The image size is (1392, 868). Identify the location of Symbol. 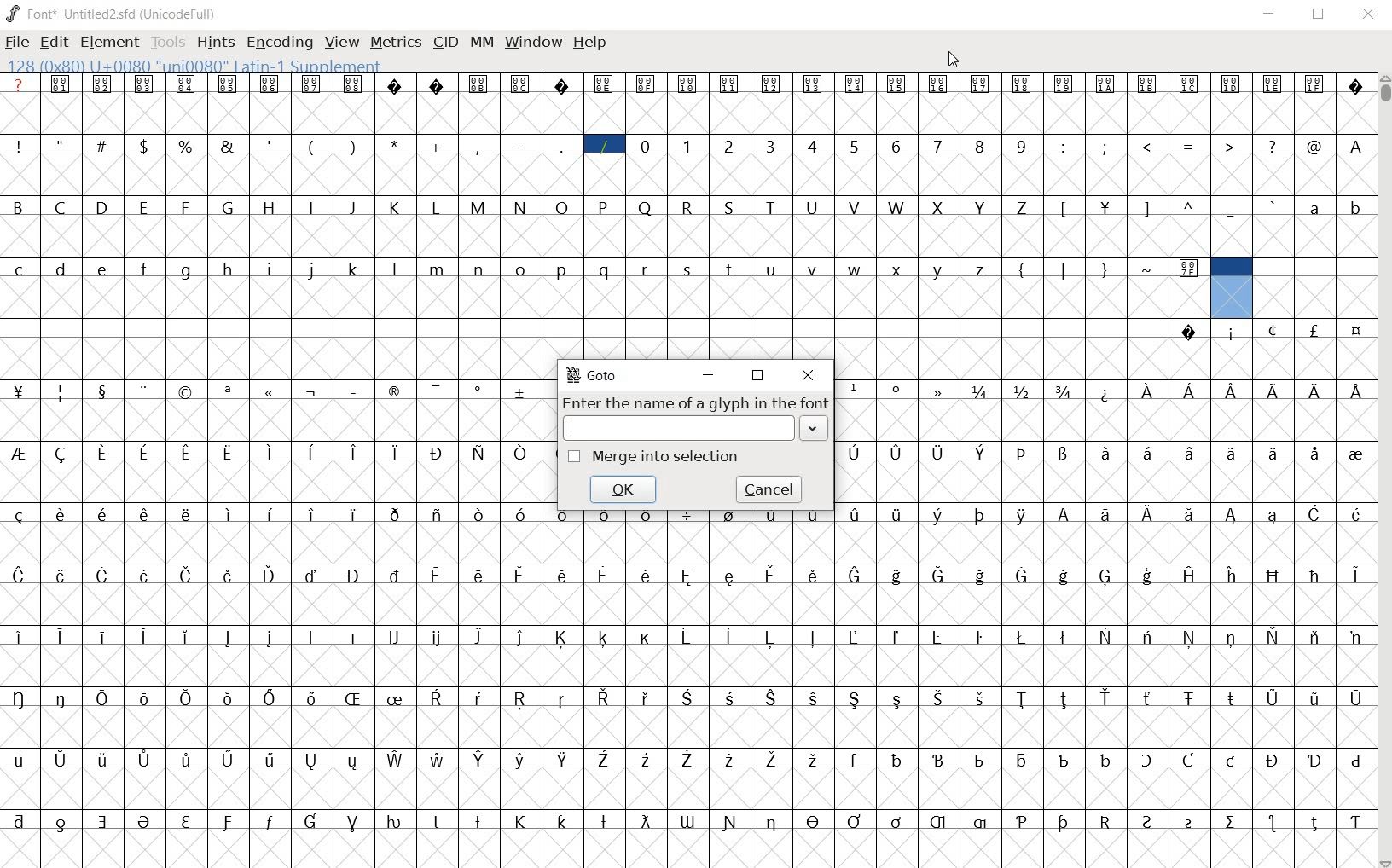
(20, 391).